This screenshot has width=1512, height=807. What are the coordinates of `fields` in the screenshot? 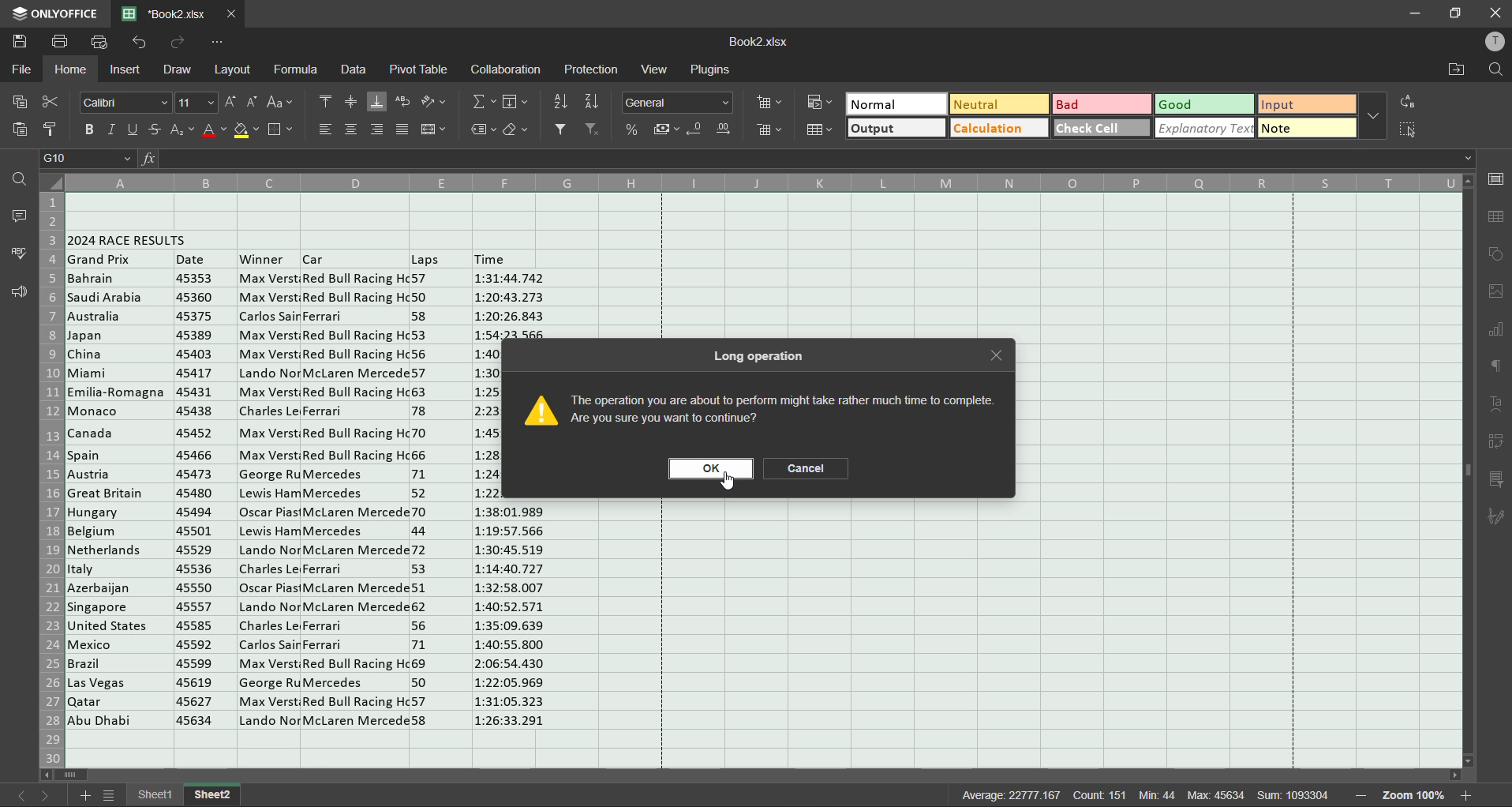 It's located at (515, 103).